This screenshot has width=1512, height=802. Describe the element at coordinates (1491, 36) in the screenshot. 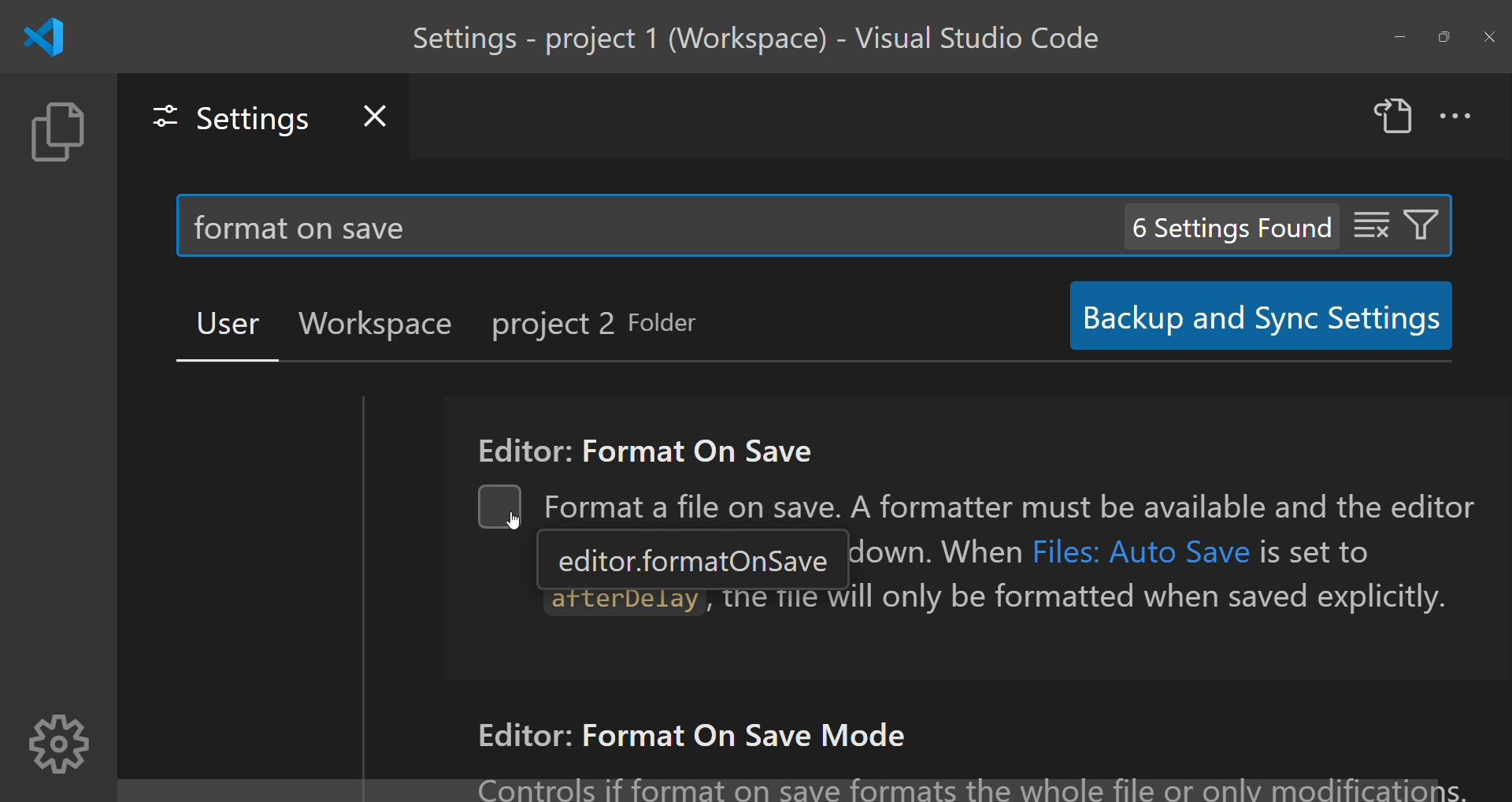

I see `close` at that location.